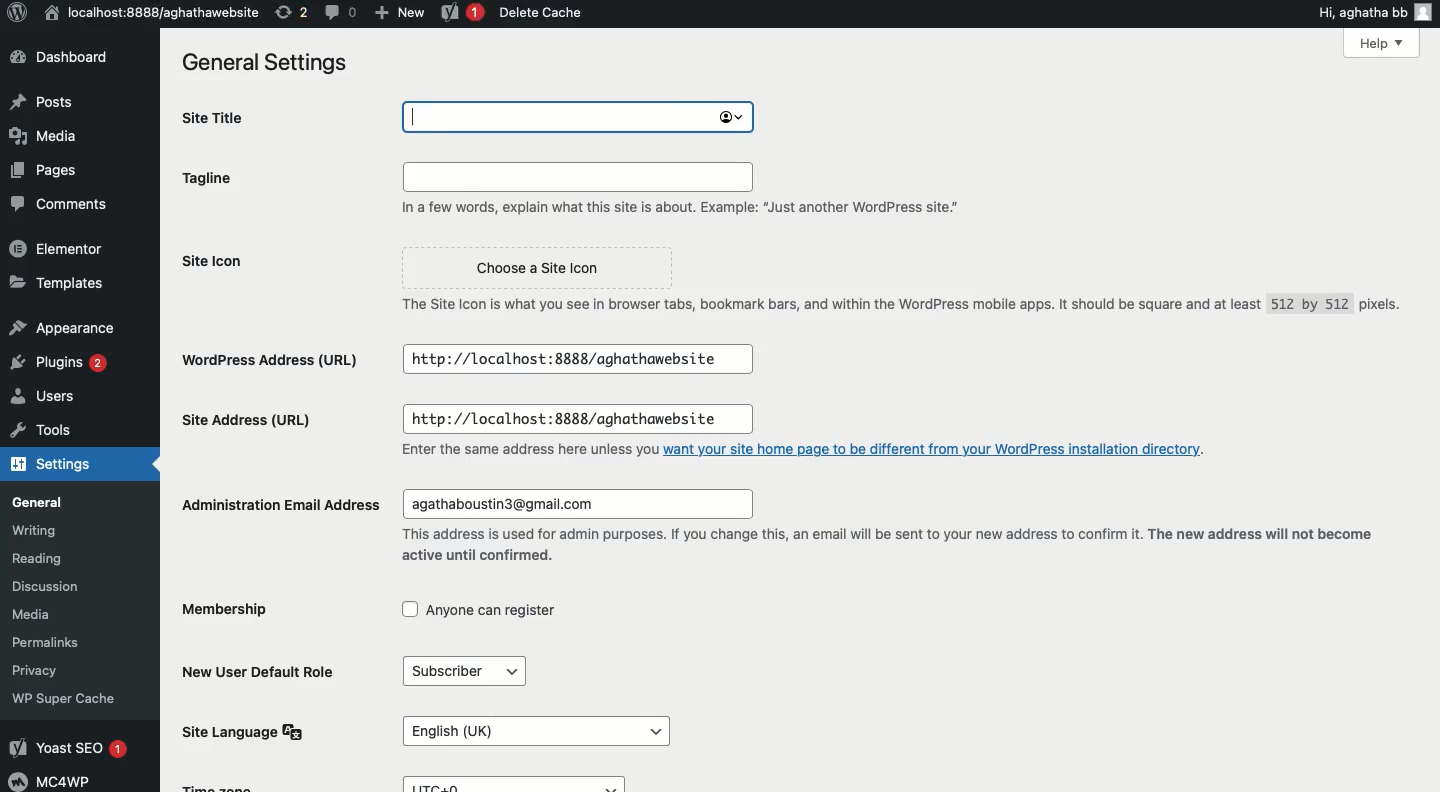  What do you see at coordinates (222, 182) in the screenshot?
I see `Tagline` at bounding box center [222, 182].